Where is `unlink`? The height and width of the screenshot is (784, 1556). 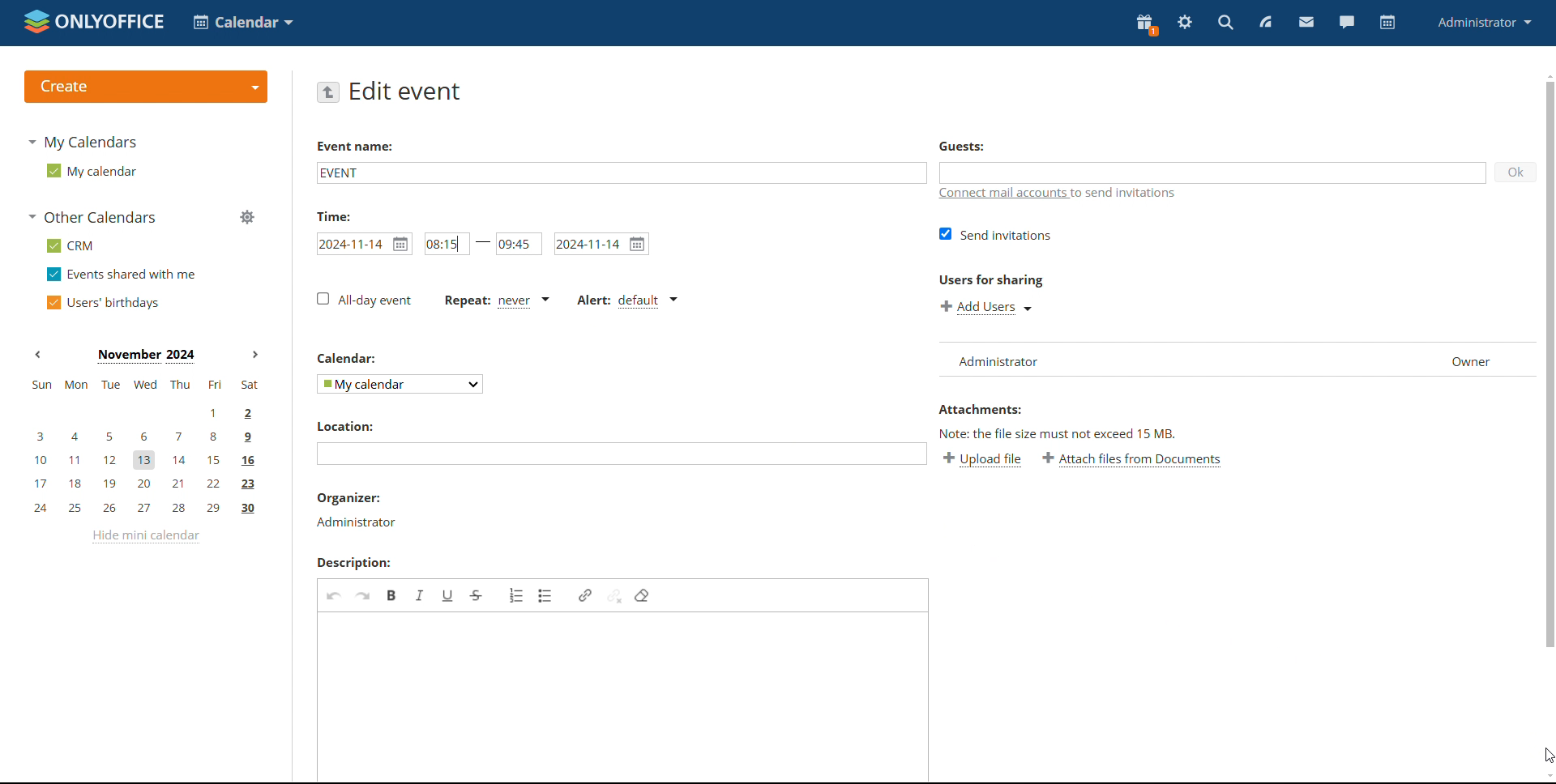
unlink is located at coordinates (613, 594).